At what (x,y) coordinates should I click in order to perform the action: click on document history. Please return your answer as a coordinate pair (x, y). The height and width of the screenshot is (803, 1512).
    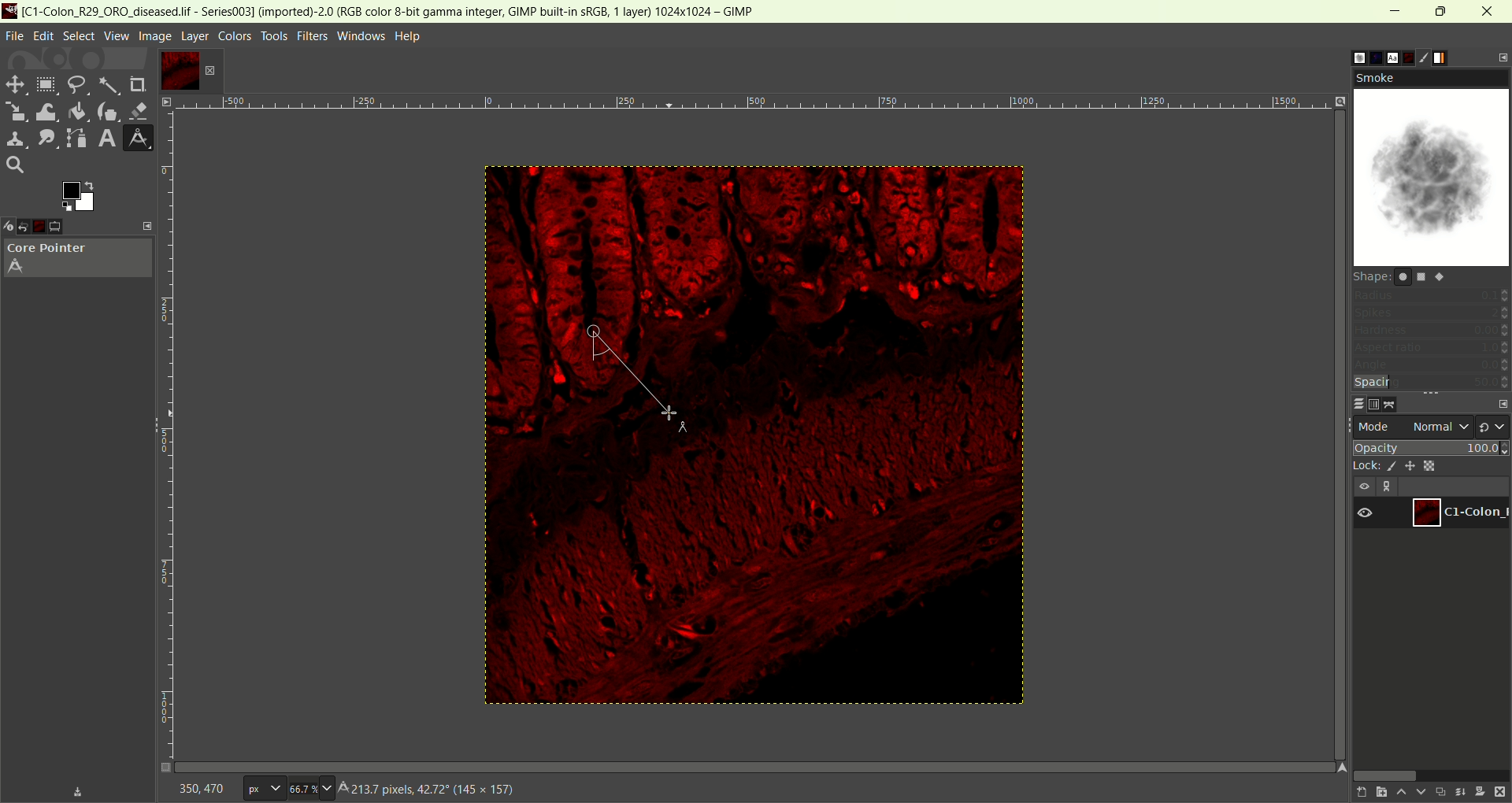
    Looking at the image, I should click on (1409, 56).